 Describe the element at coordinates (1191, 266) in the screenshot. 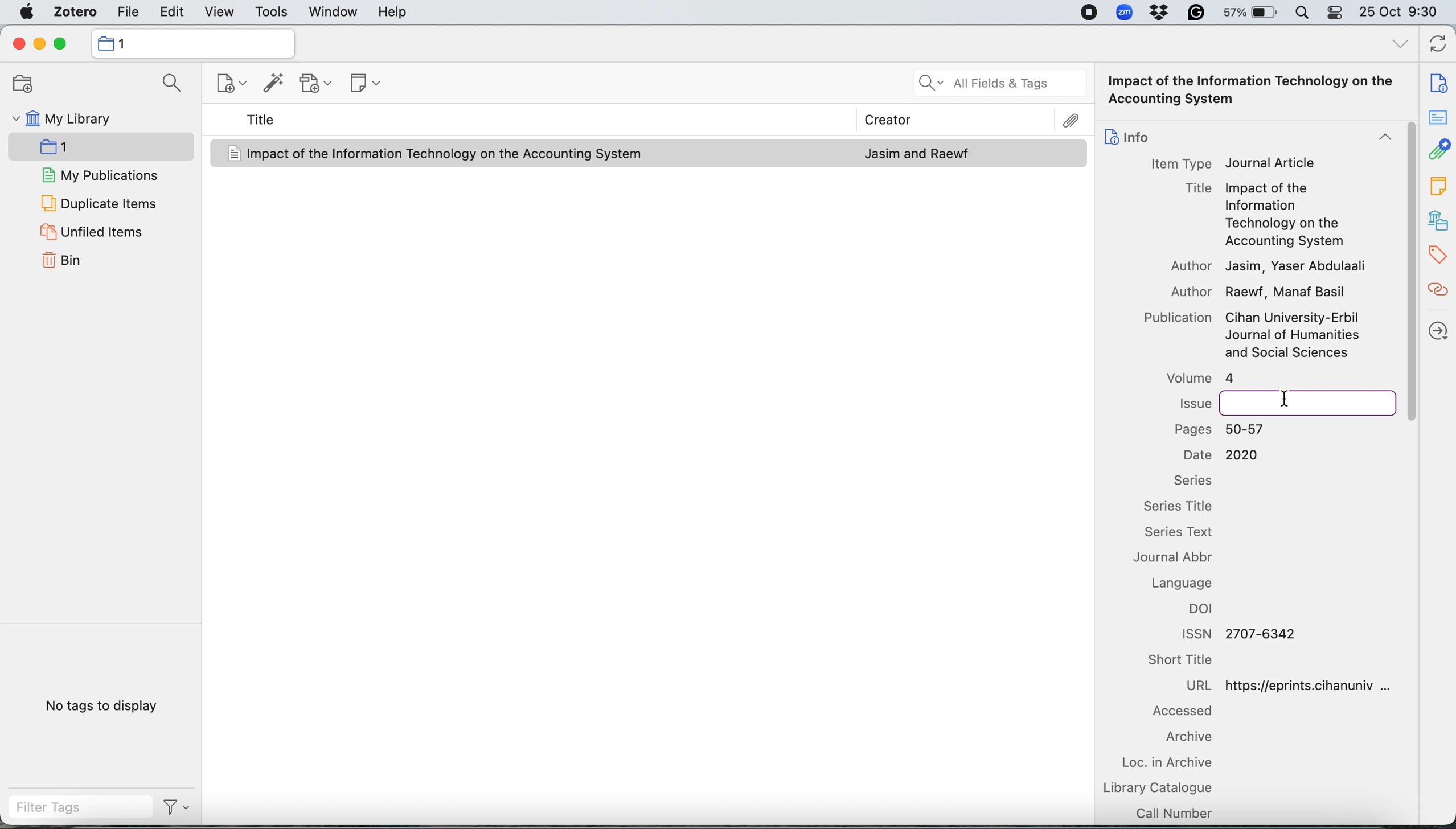

I see `Author` at that location.